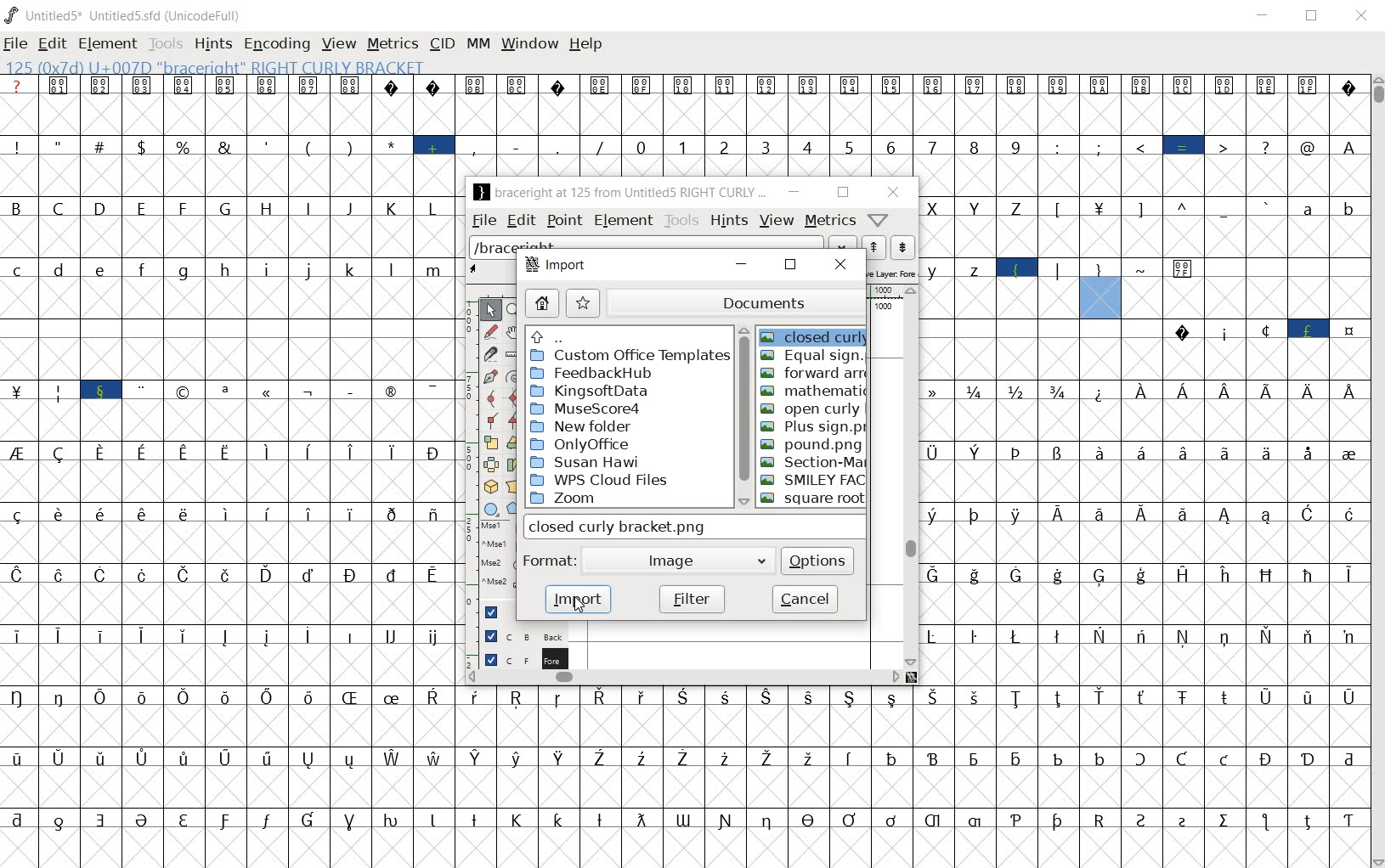 The width and height of the screenshot is (1385, 868). I want to click on HELP, so click(586, 43).